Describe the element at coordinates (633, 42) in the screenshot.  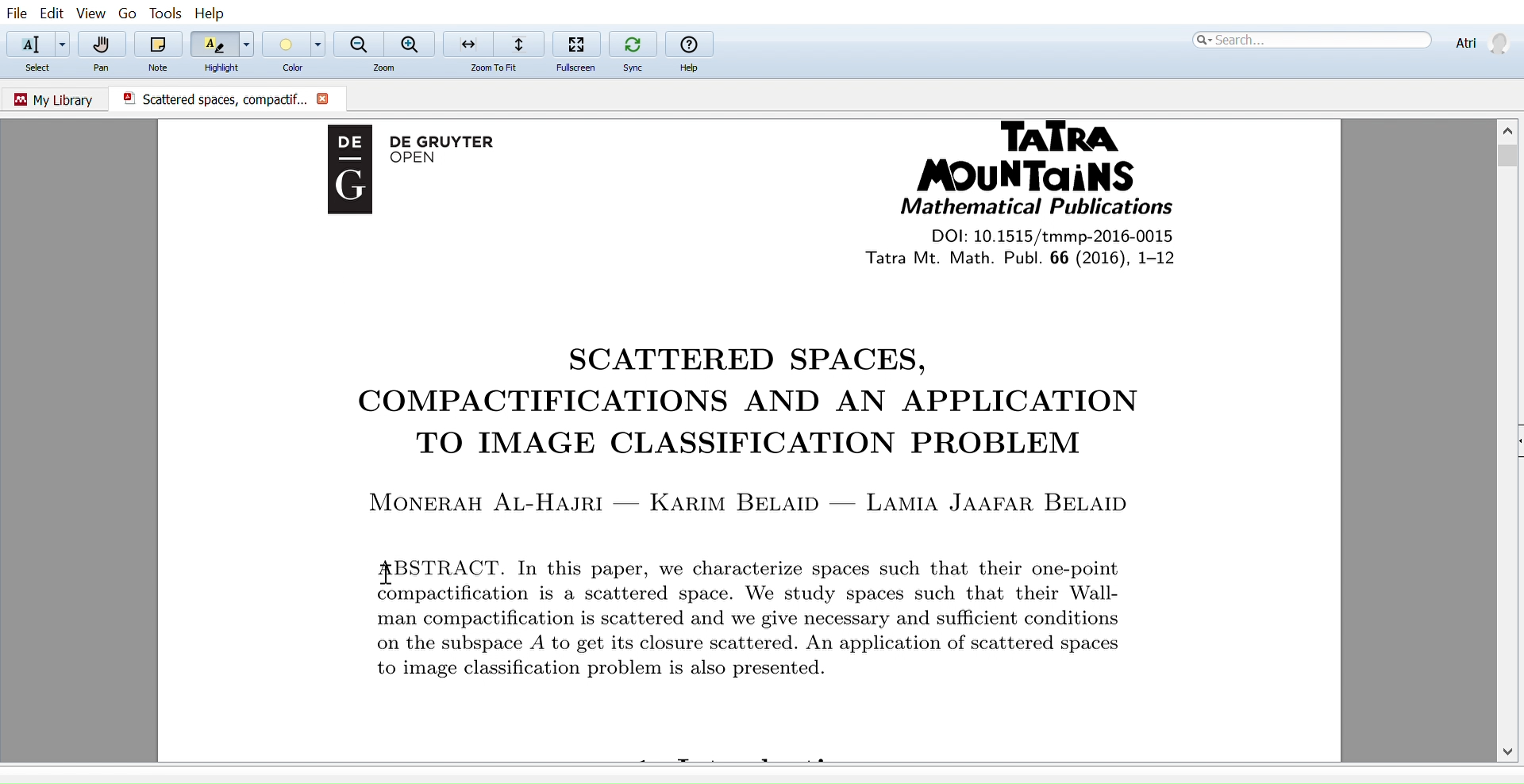
I see `Sync` at that location.